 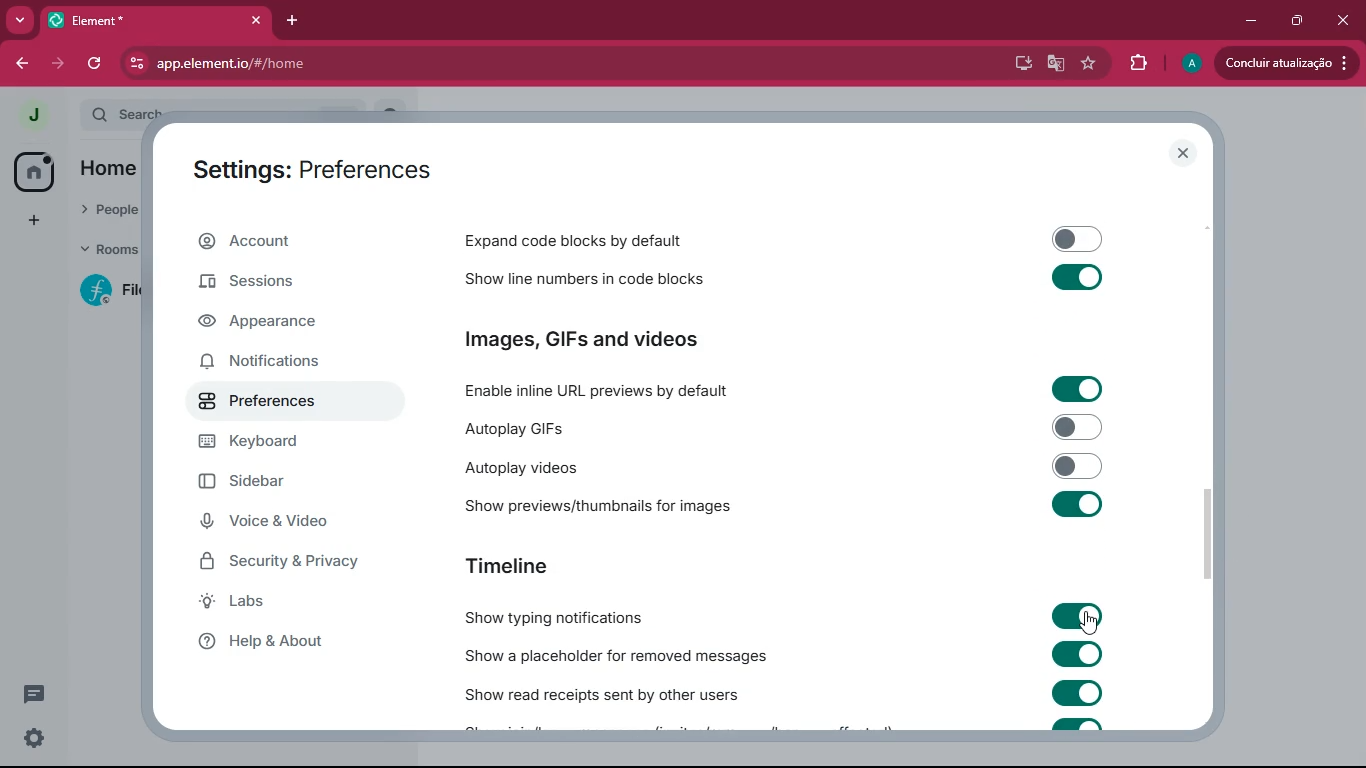 What do you see at coordinates (616, 653) in the screenshot?
I see `show a placeholder for removed messages` at bounding box center [616, 653].